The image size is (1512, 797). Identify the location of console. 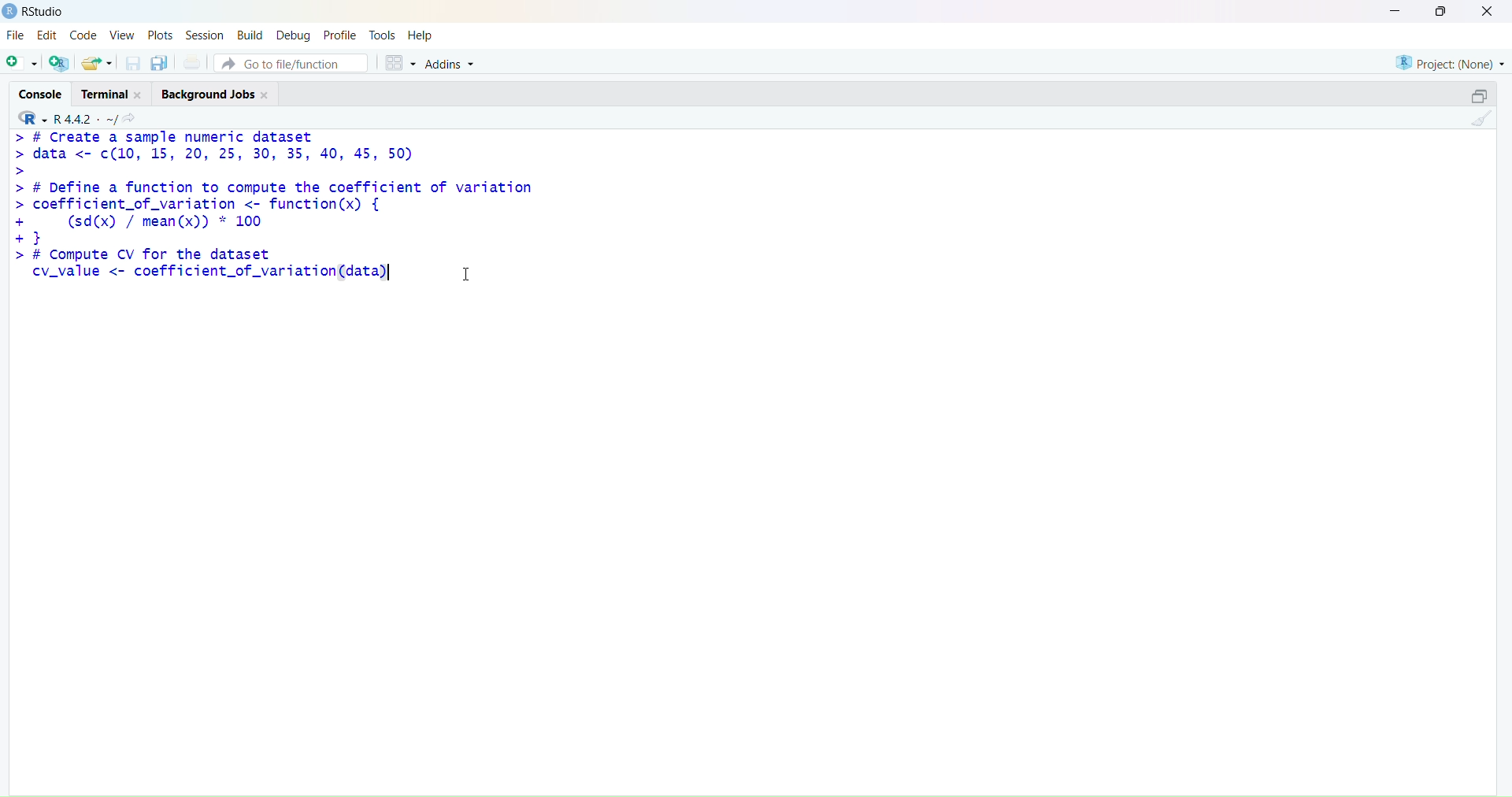
(42, 94).